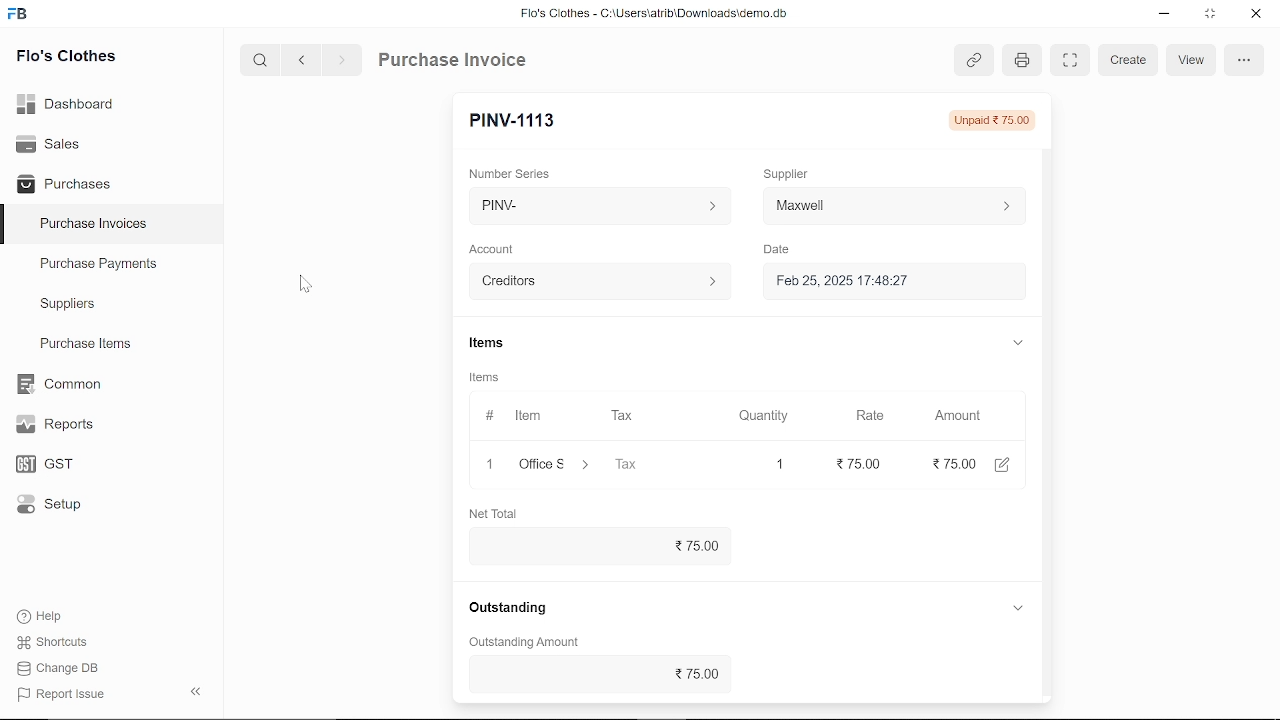 The height and width of the screenshot is (720, 1280). I want to click on close, so click(1254, 16).